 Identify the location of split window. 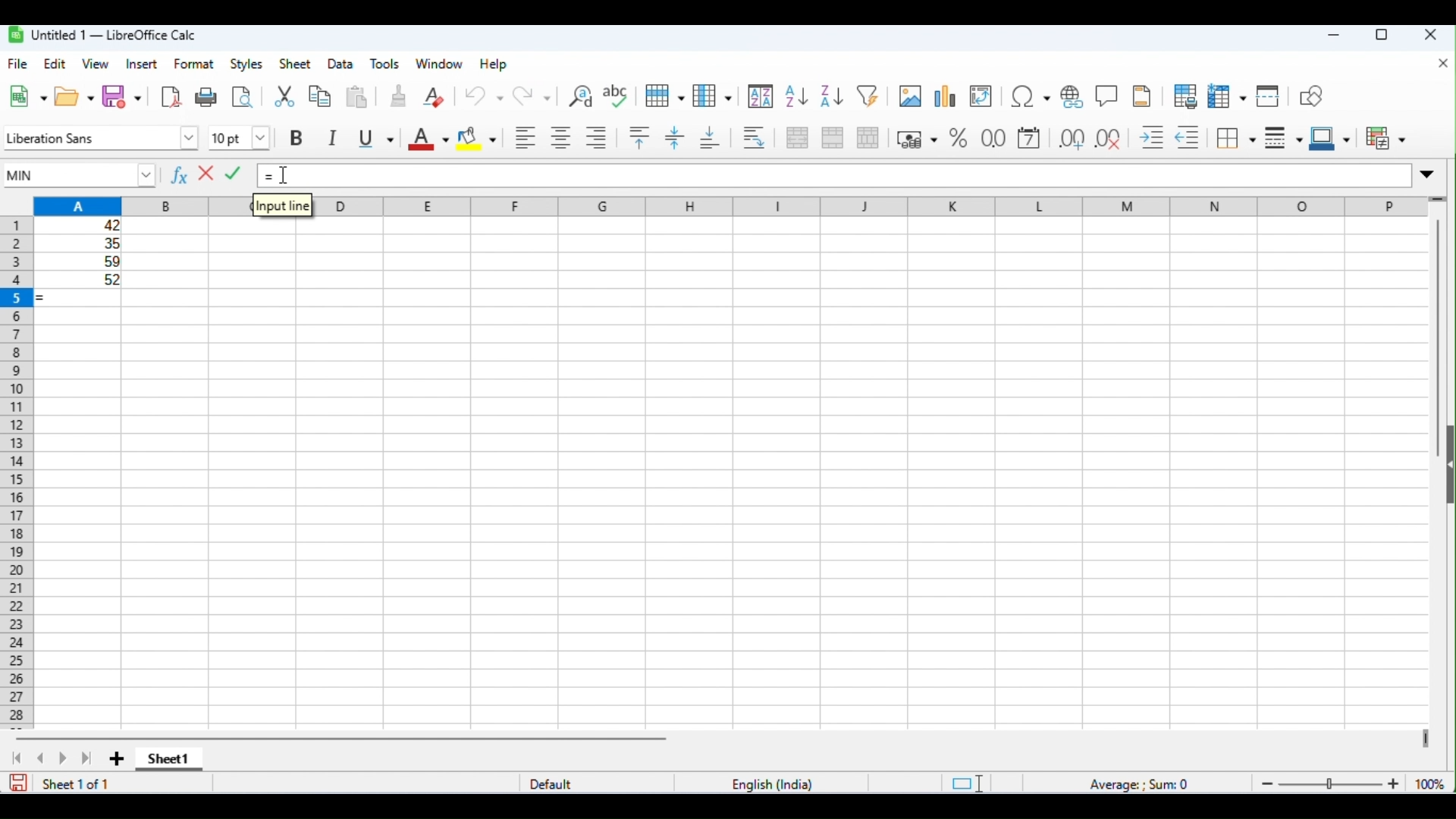
(1269, 96).